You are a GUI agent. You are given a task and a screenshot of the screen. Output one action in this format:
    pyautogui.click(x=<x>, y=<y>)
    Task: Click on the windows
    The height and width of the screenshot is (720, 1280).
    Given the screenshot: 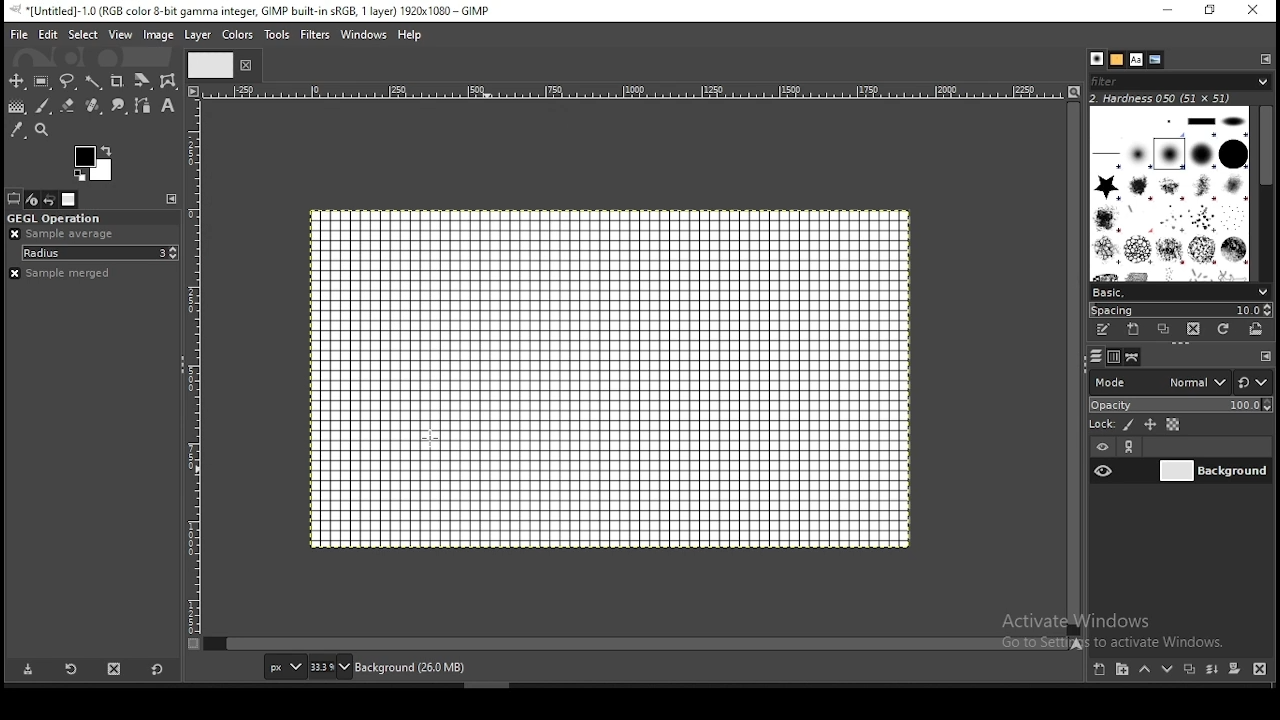 What is the action you would take?
    pyautogui.click(x=364, y=36)
    